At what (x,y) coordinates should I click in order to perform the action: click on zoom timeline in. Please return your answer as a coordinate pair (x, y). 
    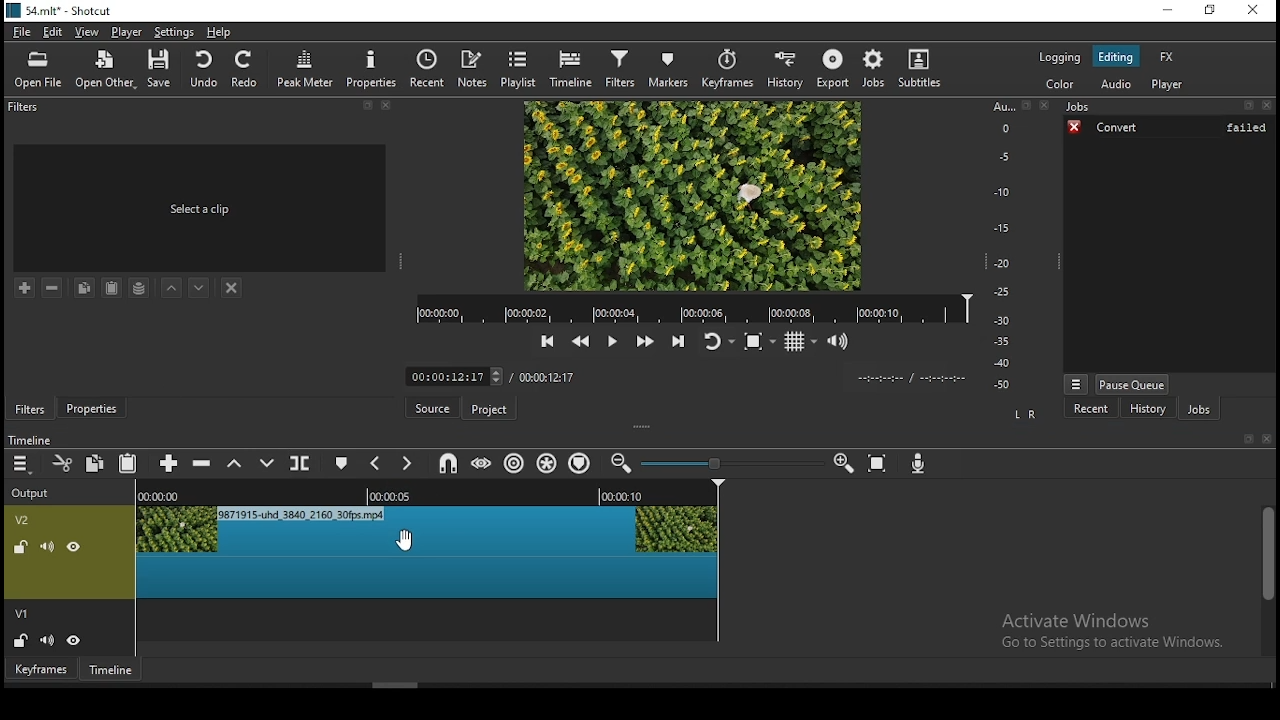
    Looking at the image, I should click on (620, 463).